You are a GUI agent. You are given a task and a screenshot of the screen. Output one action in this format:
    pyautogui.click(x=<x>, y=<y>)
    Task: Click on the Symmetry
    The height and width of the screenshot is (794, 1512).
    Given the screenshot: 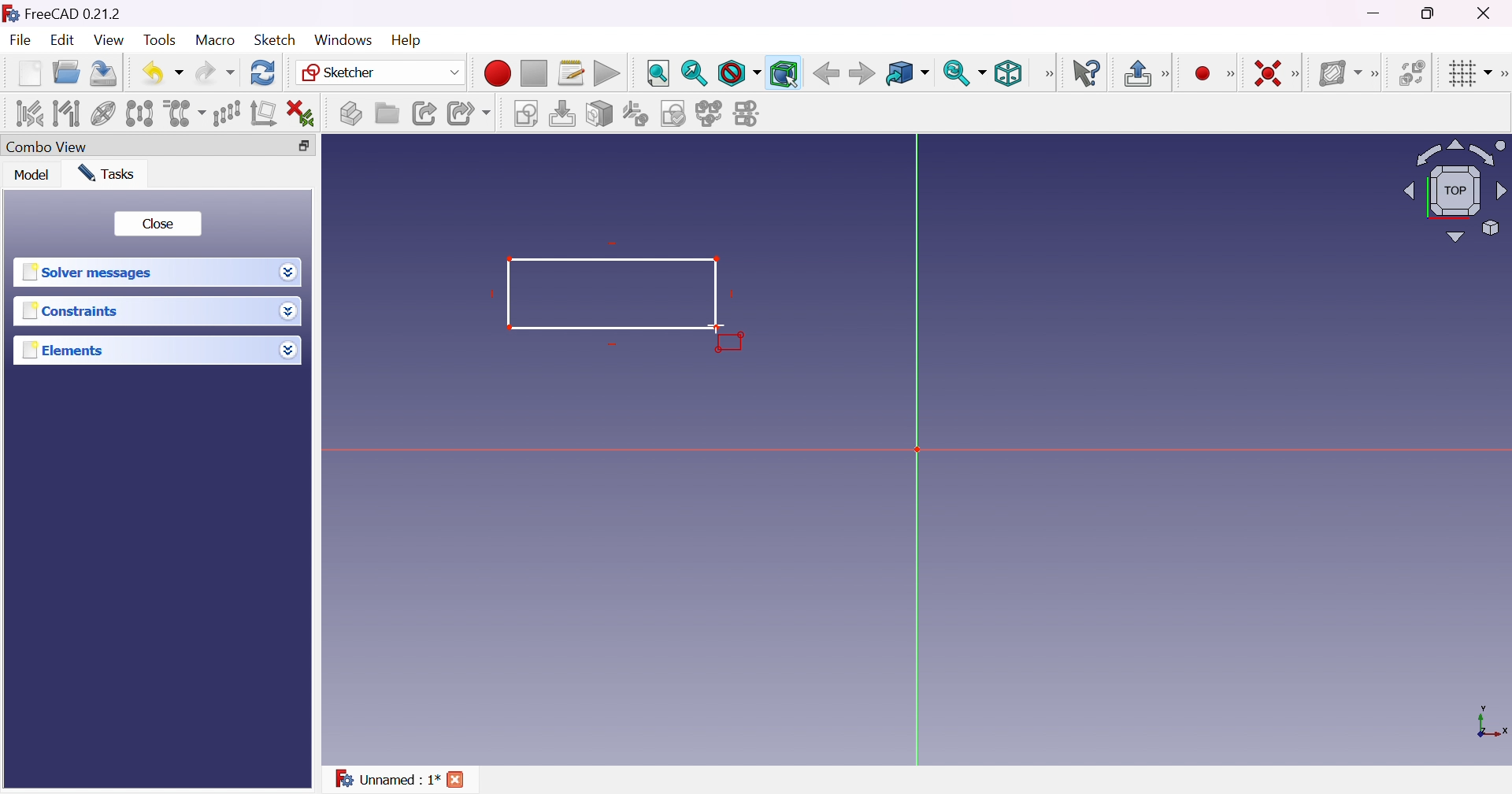 What is the action you would take?
    pyautogui.click(x=139, y=113)
    